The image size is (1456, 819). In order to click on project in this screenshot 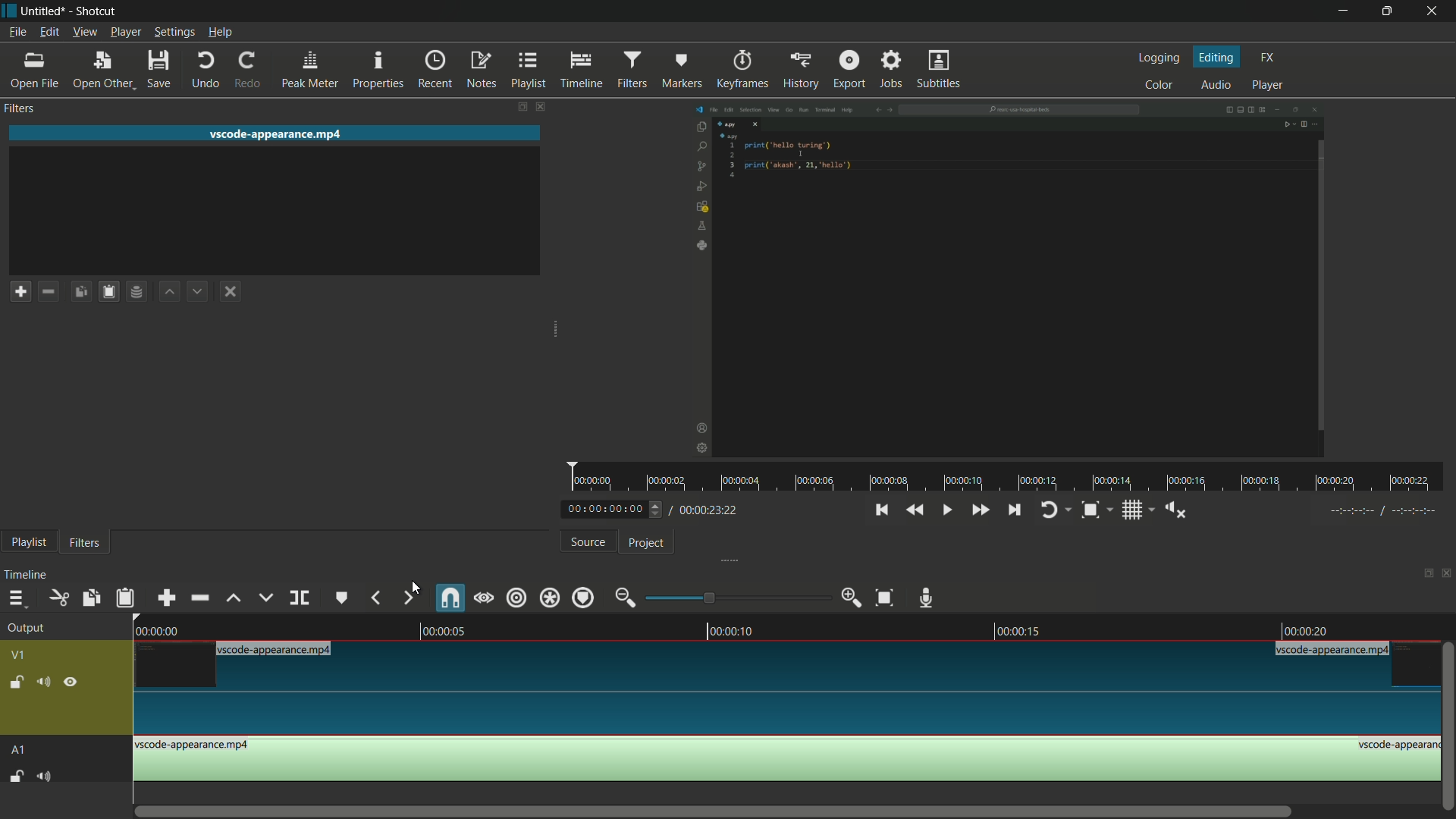, I will do `click(645, 543)`.